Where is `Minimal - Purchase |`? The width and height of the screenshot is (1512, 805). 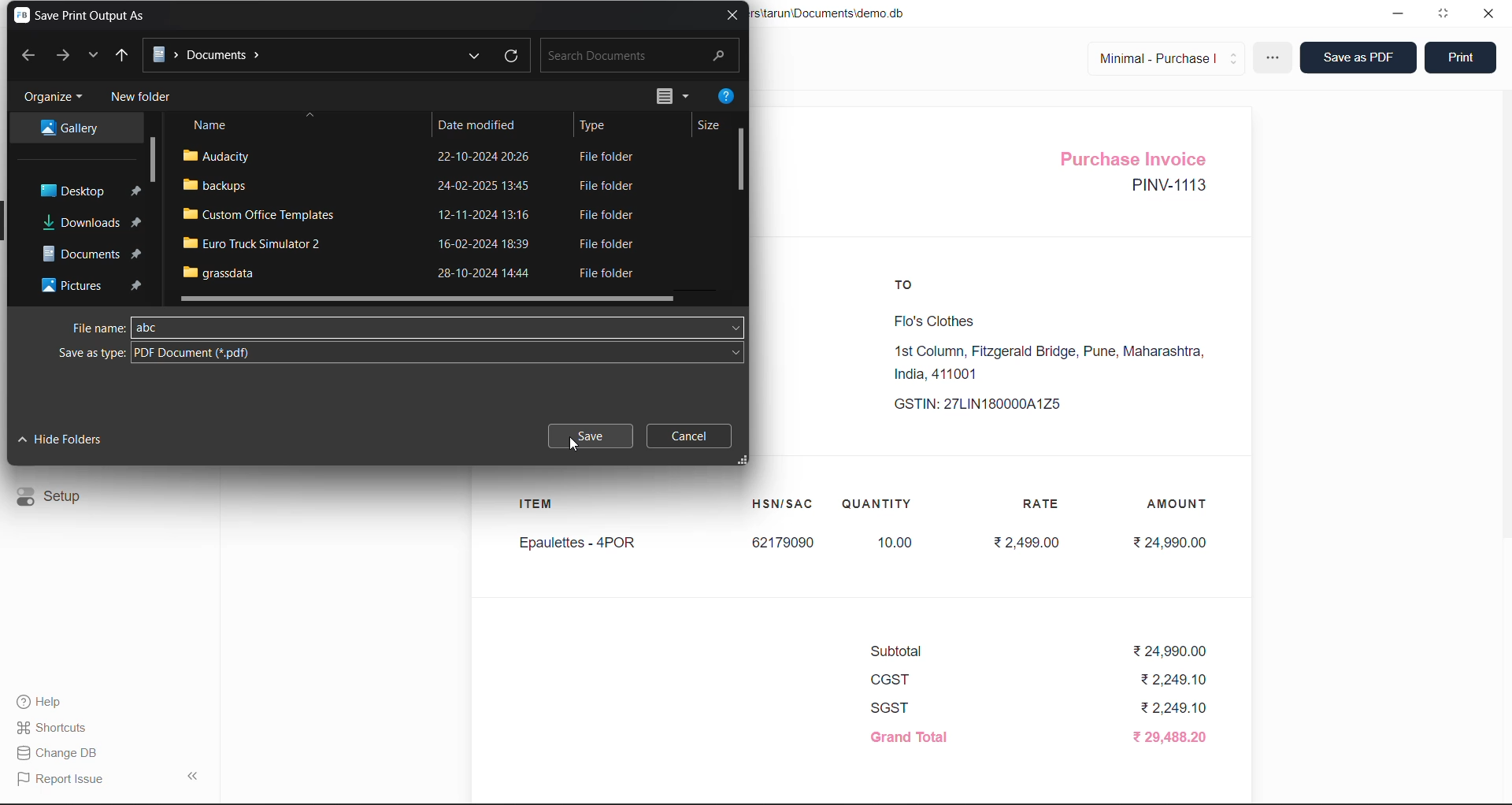 Minimal - Purchase | is located at coordinates (1166, 57).